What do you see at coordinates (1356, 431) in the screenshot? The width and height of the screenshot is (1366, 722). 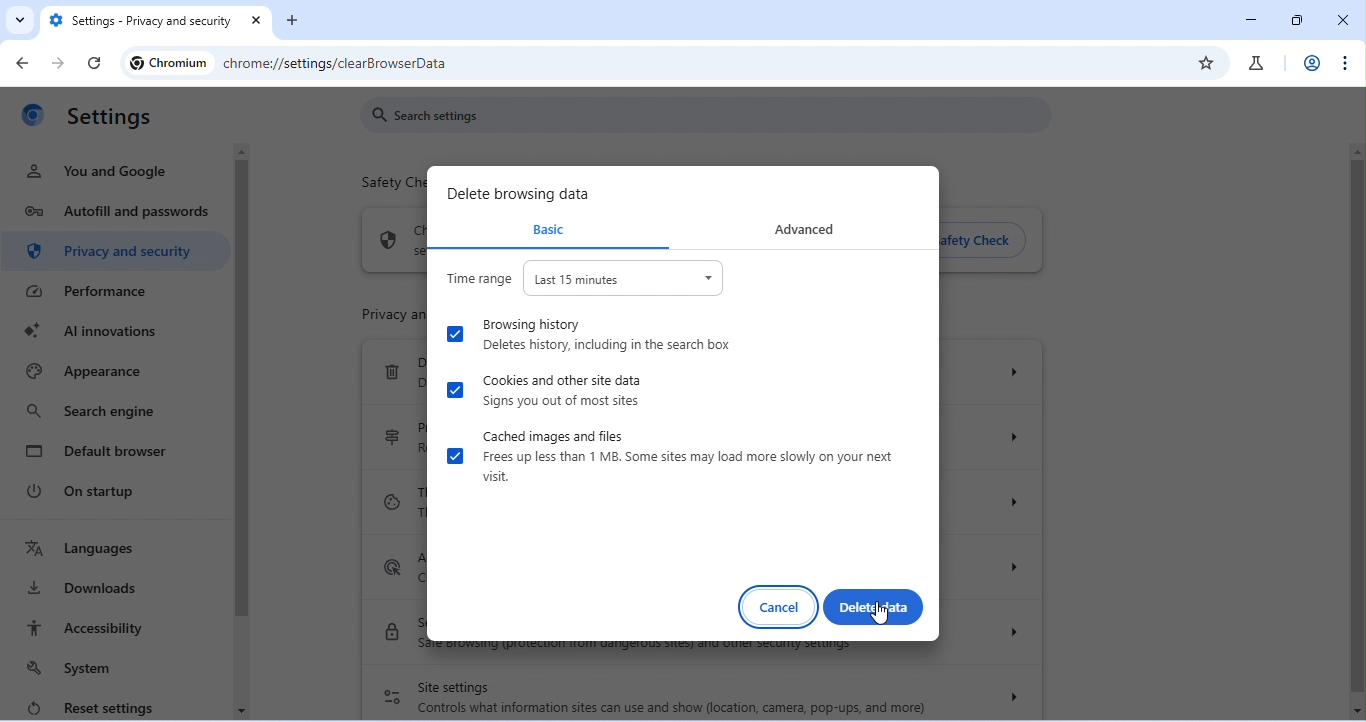 I see `vertical scroll bar` at bounding box center [1356, 431].